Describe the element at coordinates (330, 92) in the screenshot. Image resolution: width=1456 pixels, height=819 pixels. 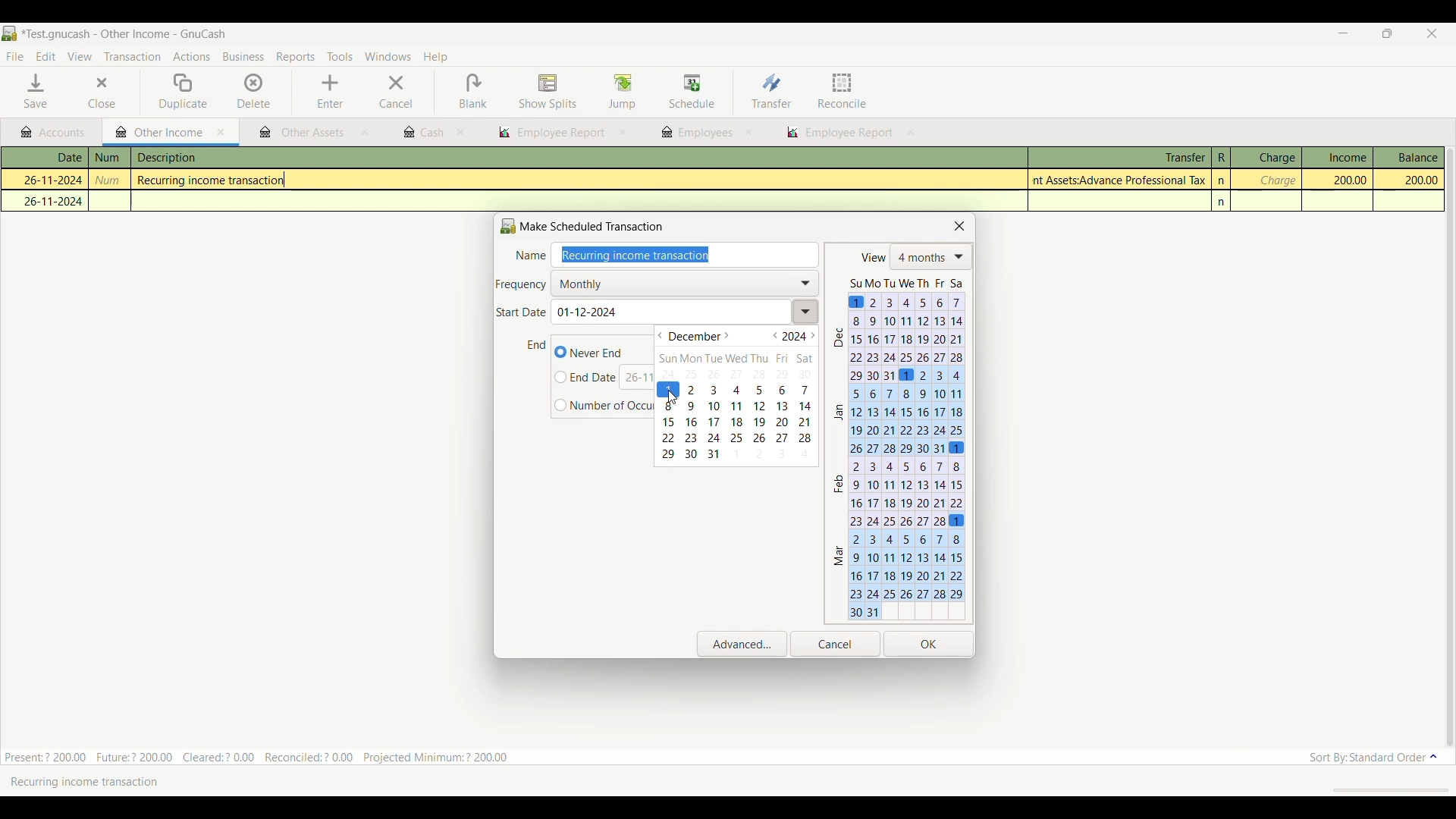
I see `Enter` at that location.